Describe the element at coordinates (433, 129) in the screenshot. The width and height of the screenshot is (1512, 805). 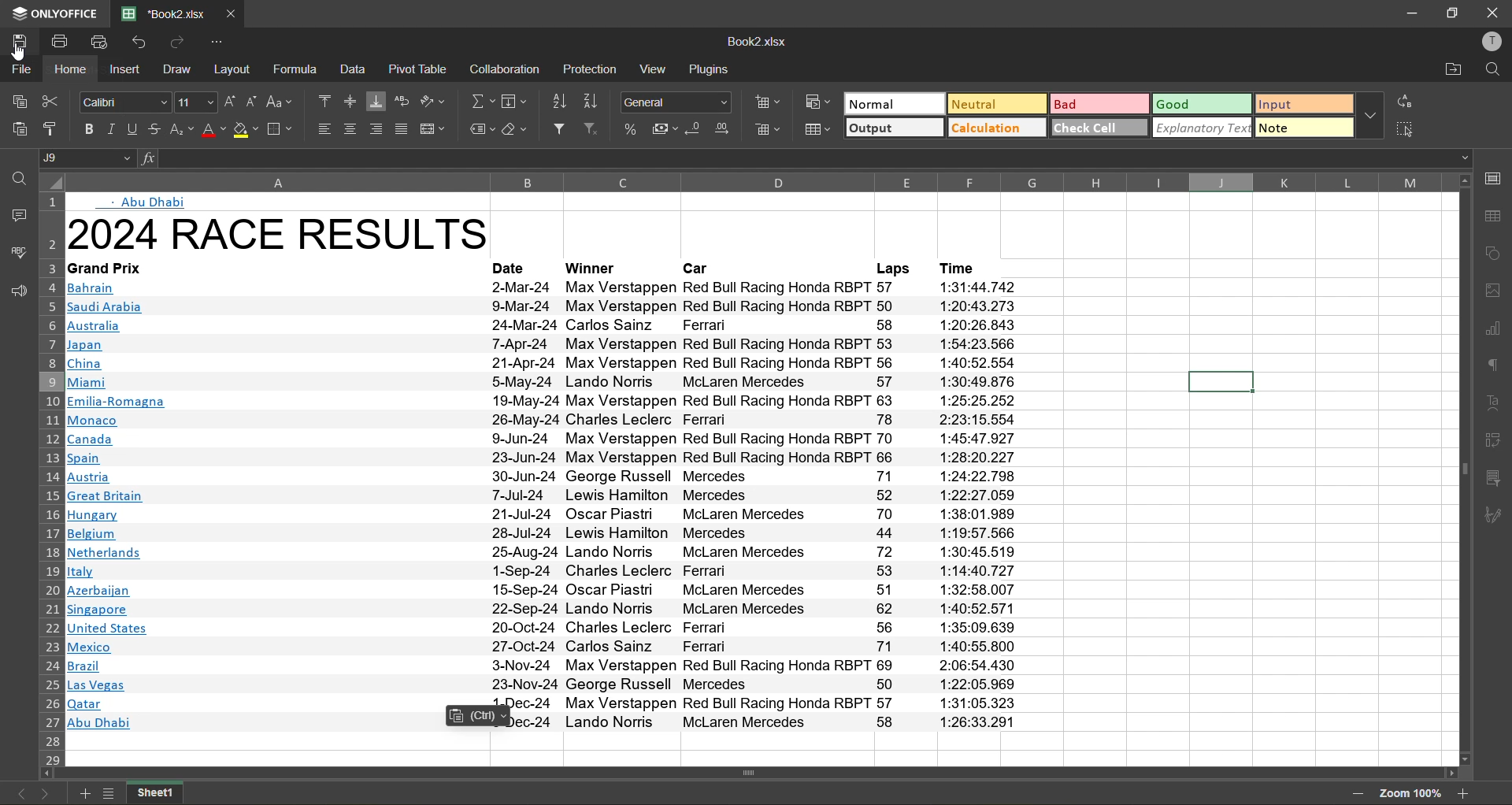
I see `merge and center` at that location.